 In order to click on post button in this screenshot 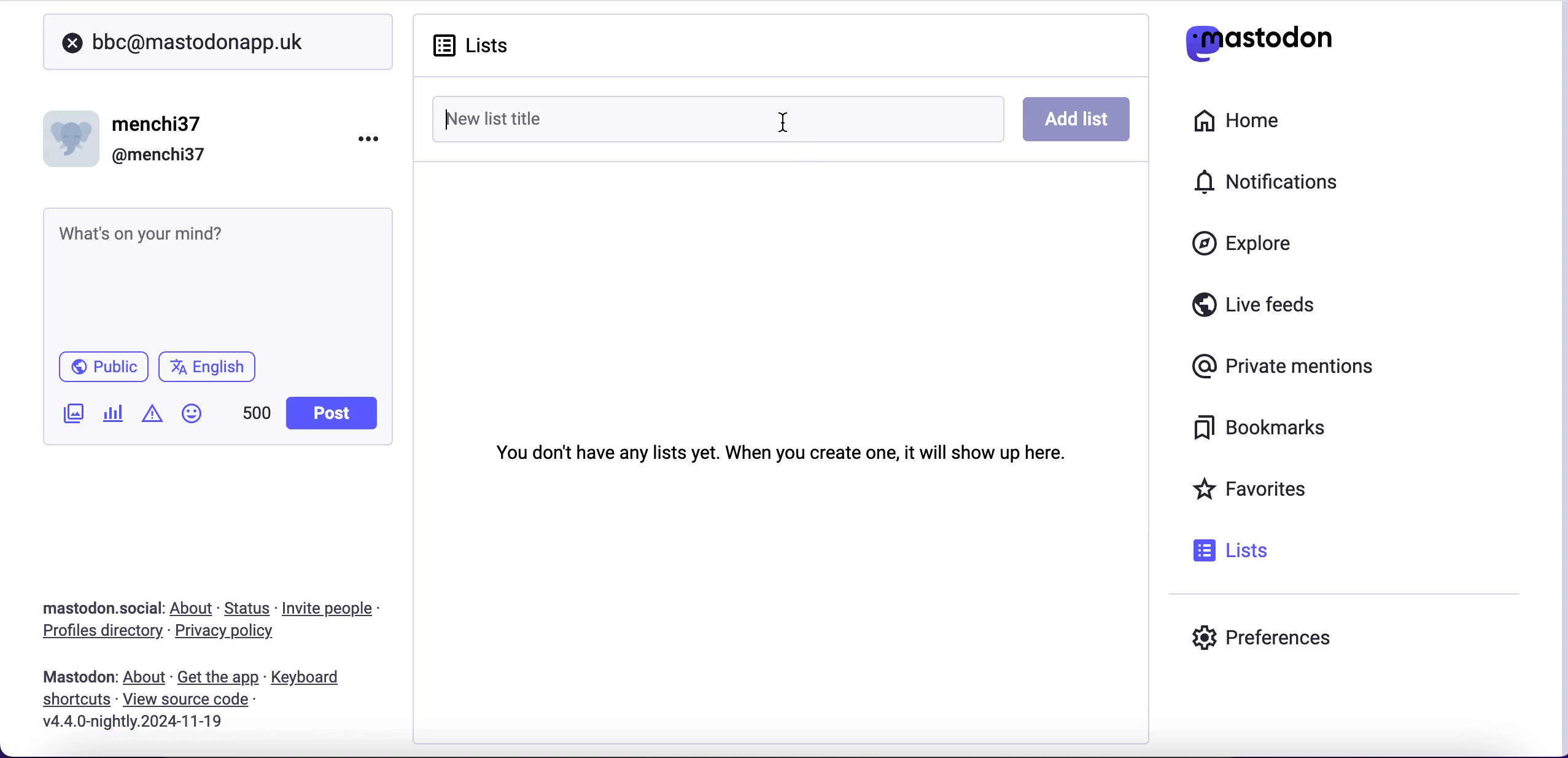, I will do `click(335, 413)`.